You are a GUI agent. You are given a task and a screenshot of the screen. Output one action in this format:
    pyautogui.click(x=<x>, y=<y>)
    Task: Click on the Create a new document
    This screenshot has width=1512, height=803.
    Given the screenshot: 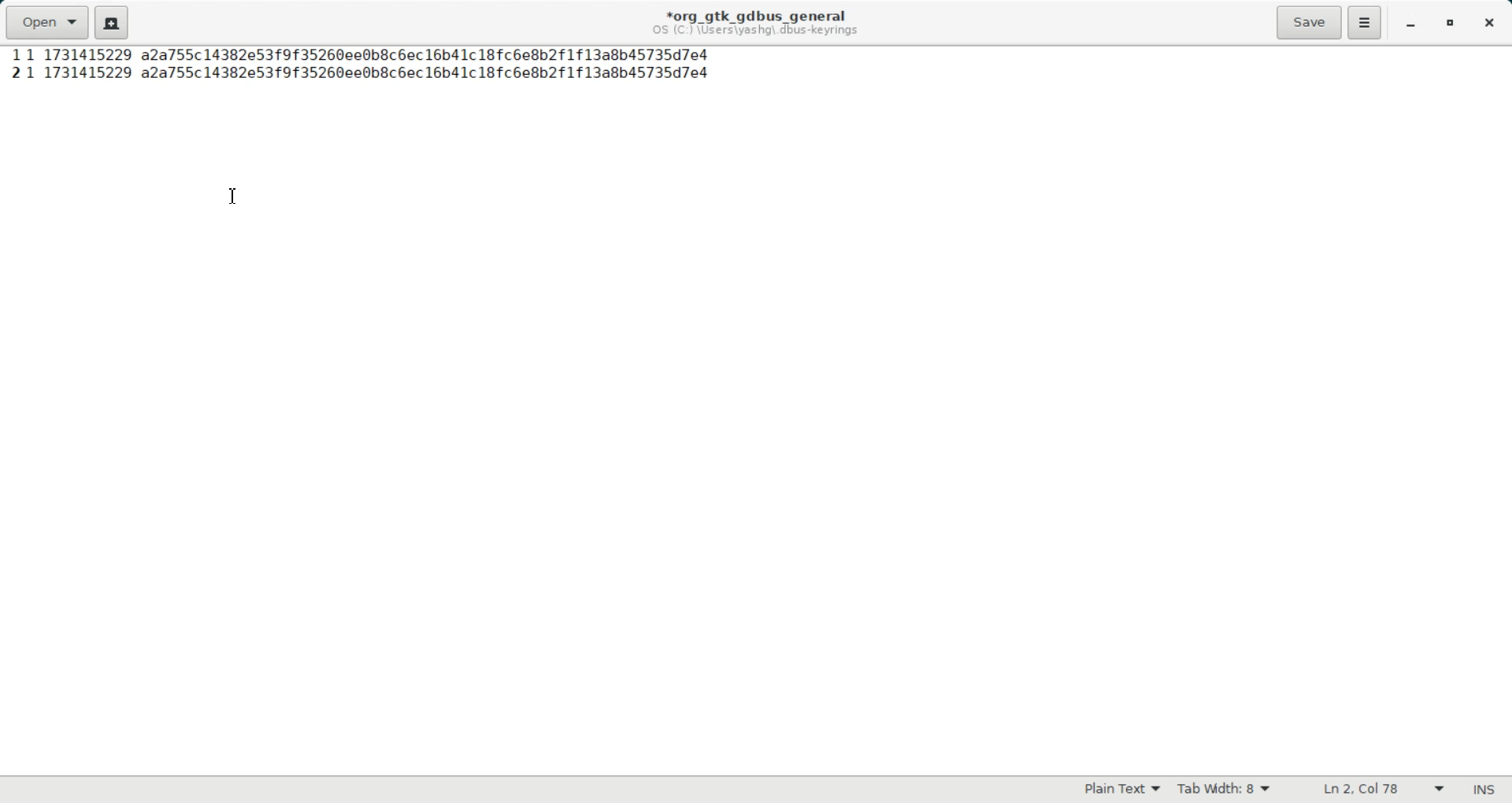 What is the action you would take?
    pyautogui.click(x=112, y=22)
    